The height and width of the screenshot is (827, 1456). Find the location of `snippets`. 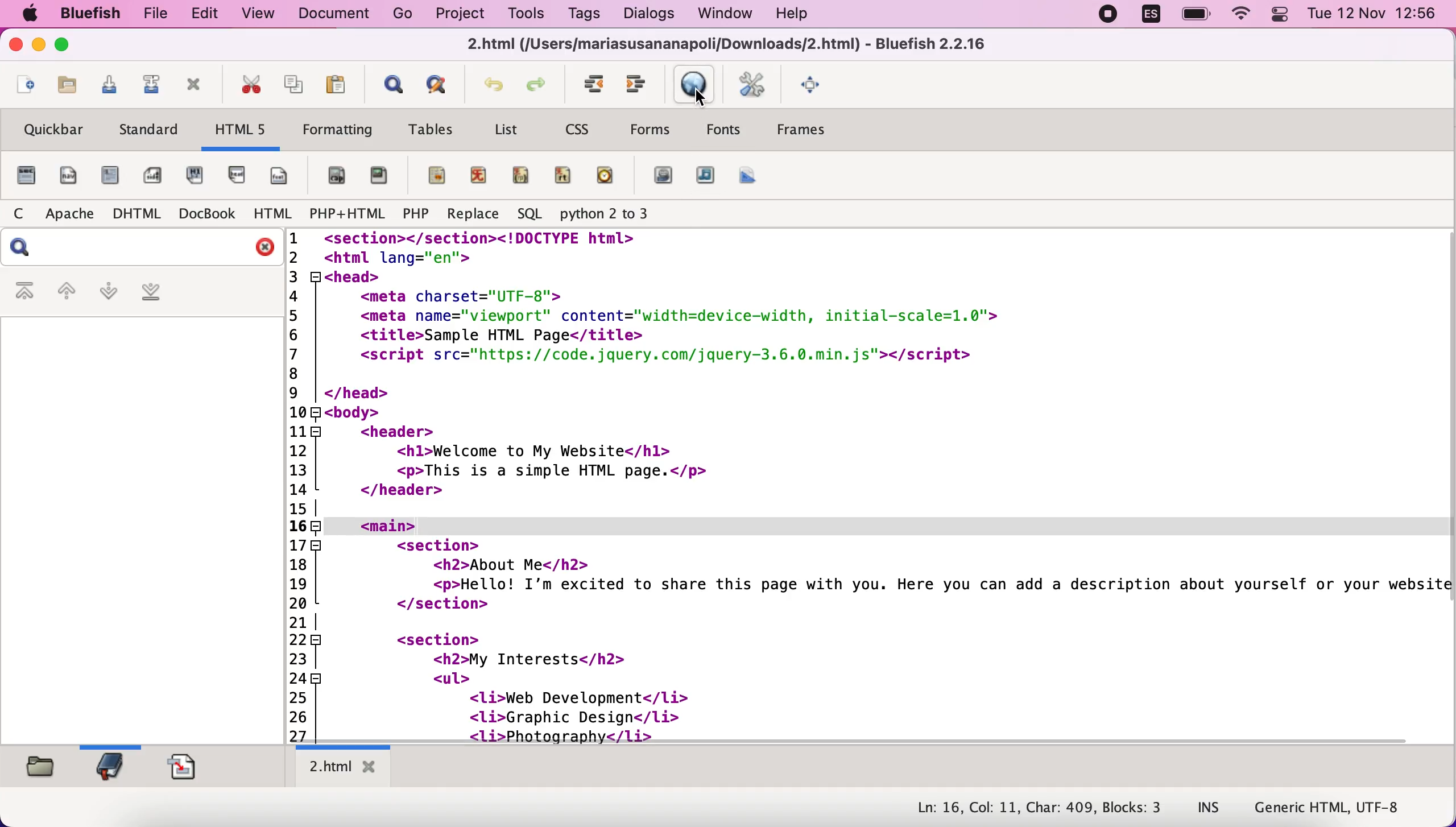

snippets is located at coordinates (188, 768).